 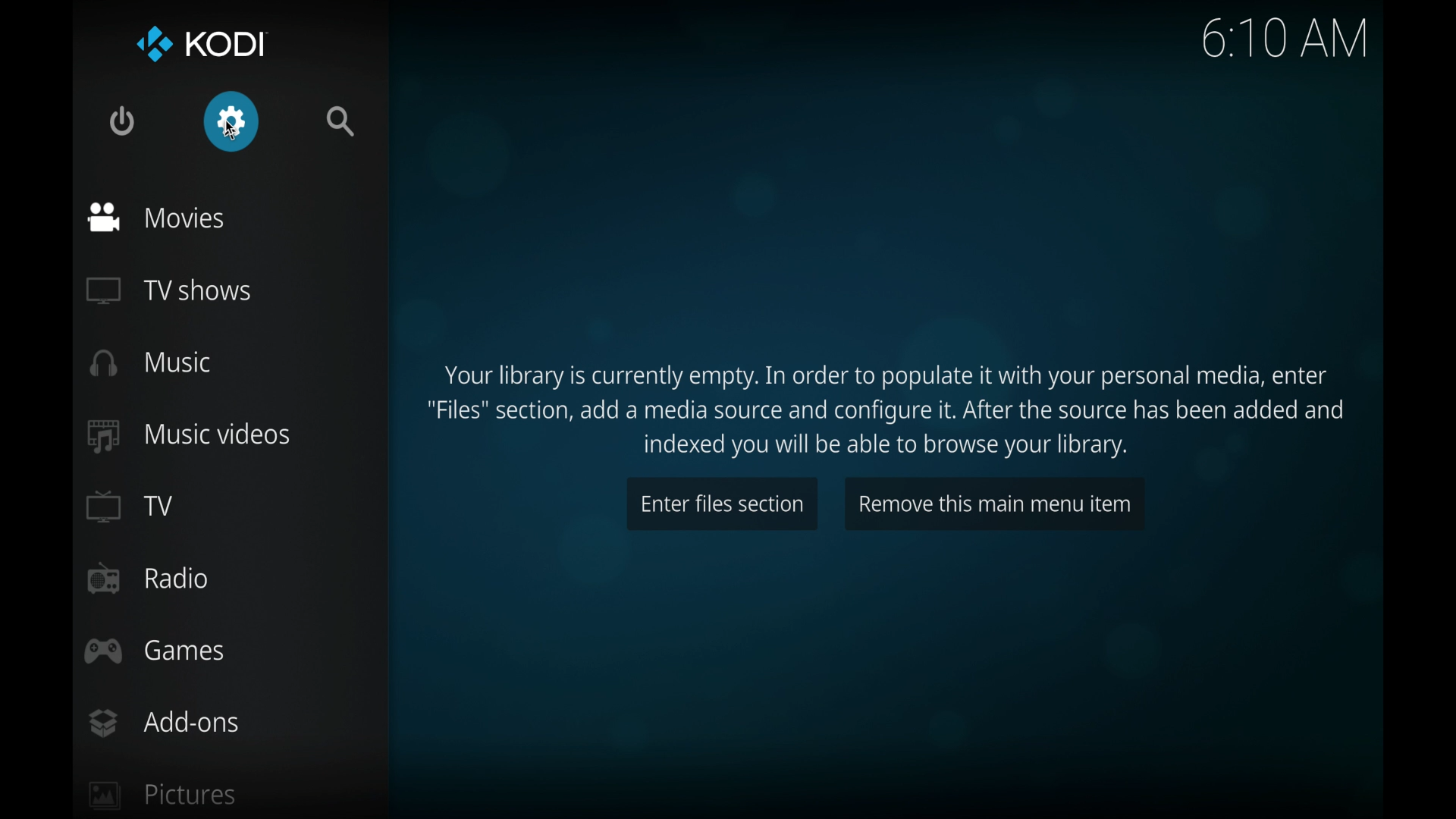 I want to click on tv, so click(x=130, y=505).